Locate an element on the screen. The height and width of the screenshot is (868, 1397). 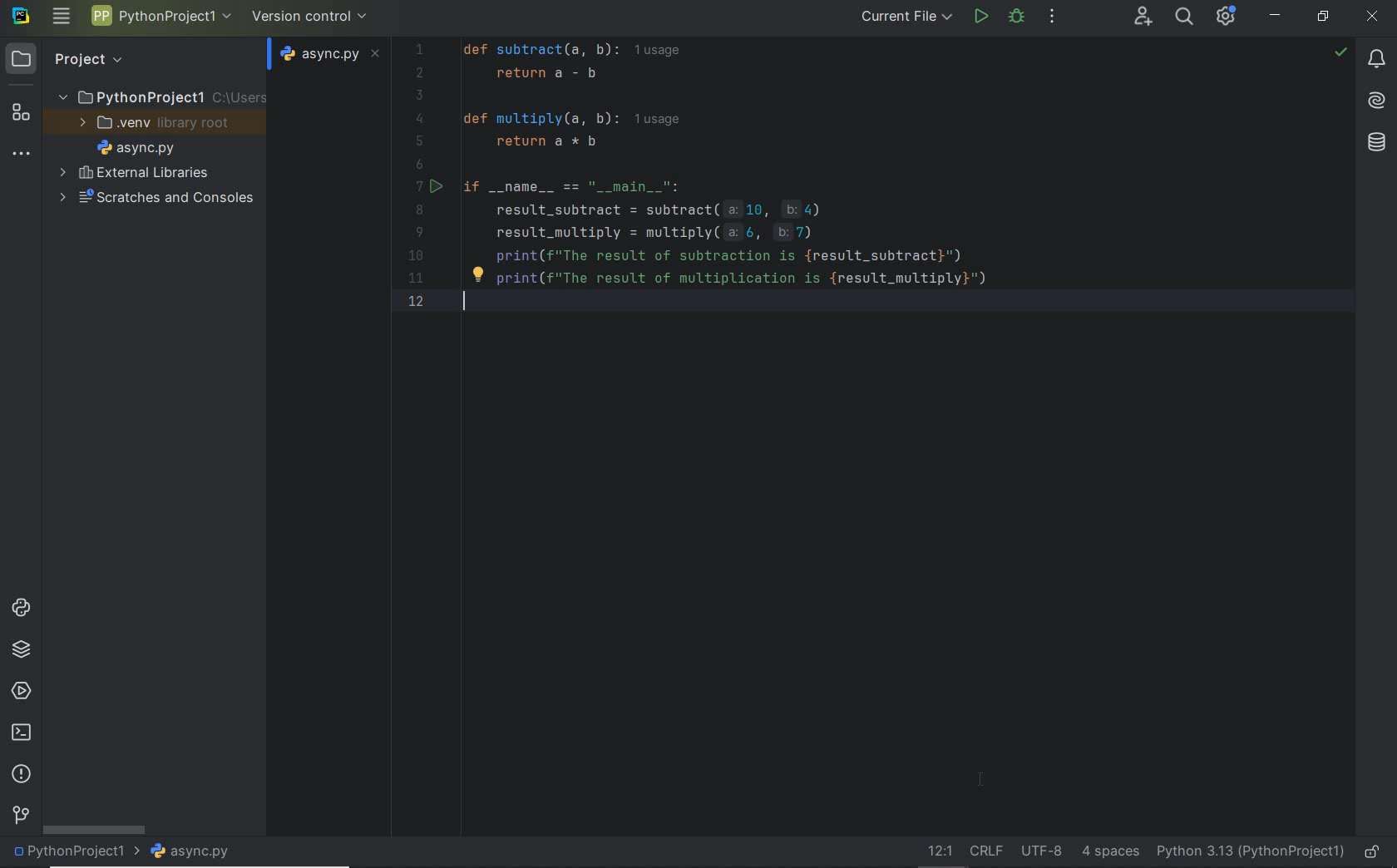
external libraries is located at coordinates (134, 173).